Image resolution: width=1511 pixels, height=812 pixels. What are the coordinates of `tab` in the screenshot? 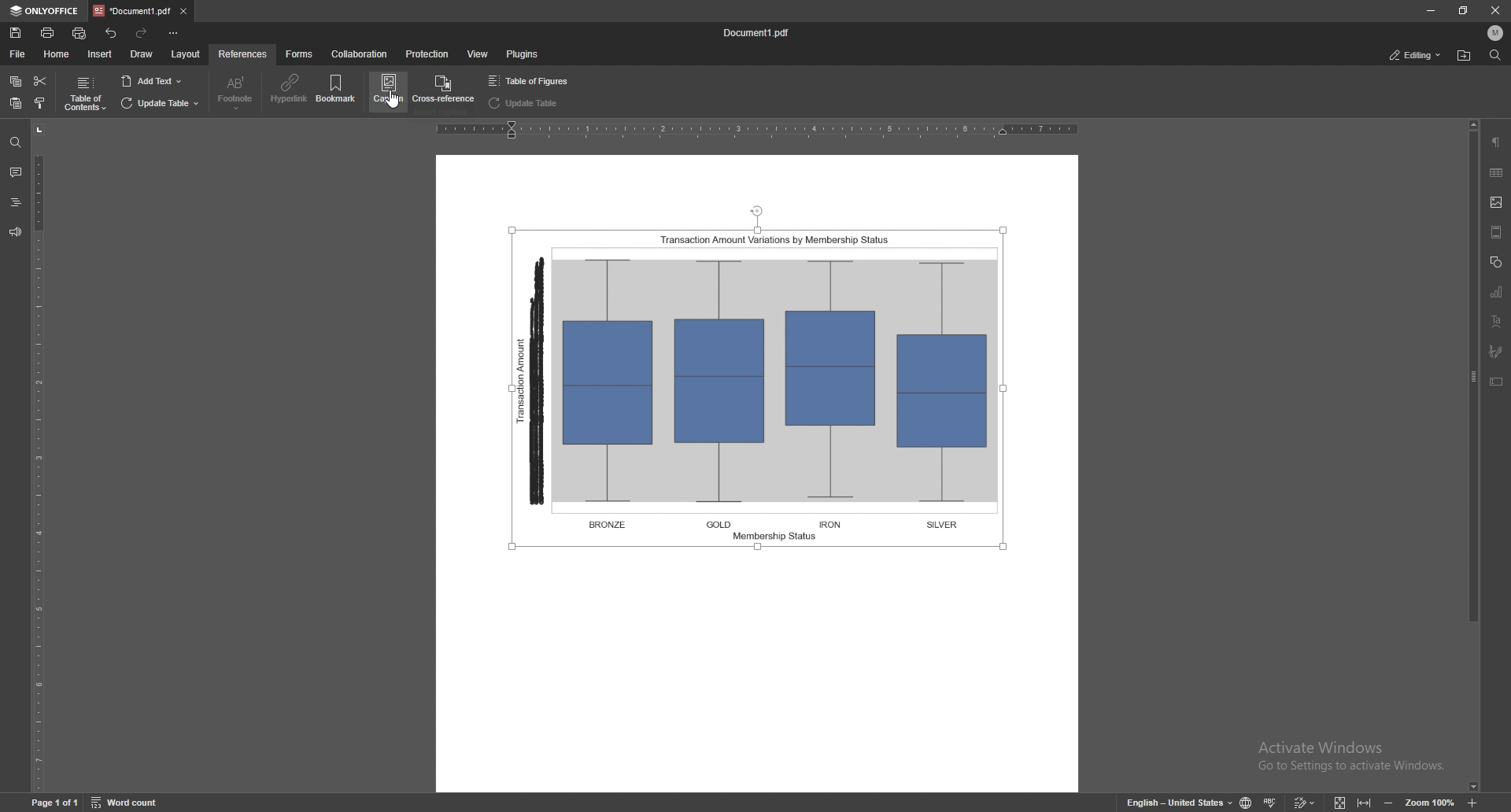 It's located at (132, 11).